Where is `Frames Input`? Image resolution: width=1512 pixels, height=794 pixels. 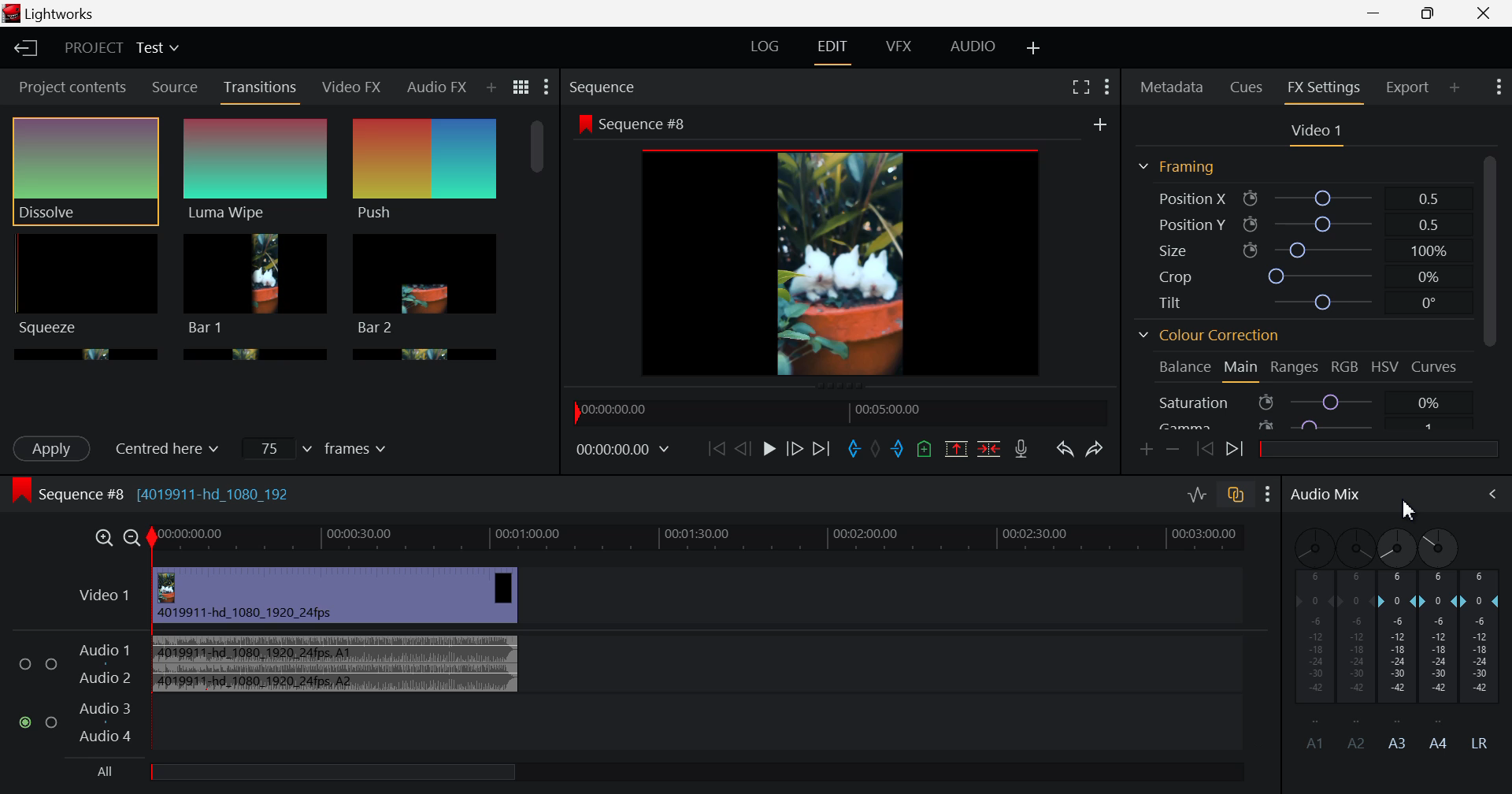
Frames Input is located at coordinates (318, 447).